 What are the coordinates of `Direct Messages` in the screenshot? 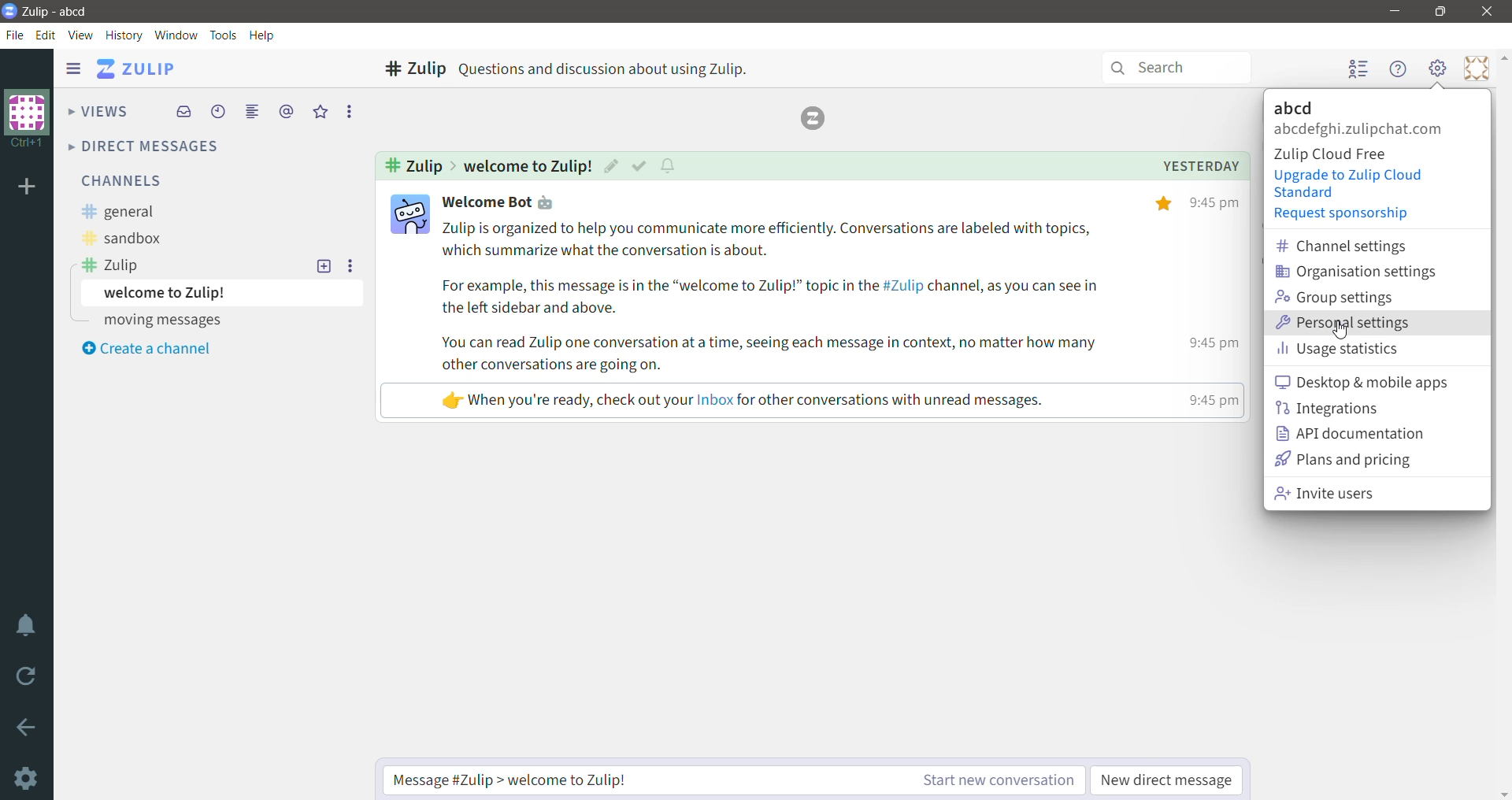 It's located at (147, 146).